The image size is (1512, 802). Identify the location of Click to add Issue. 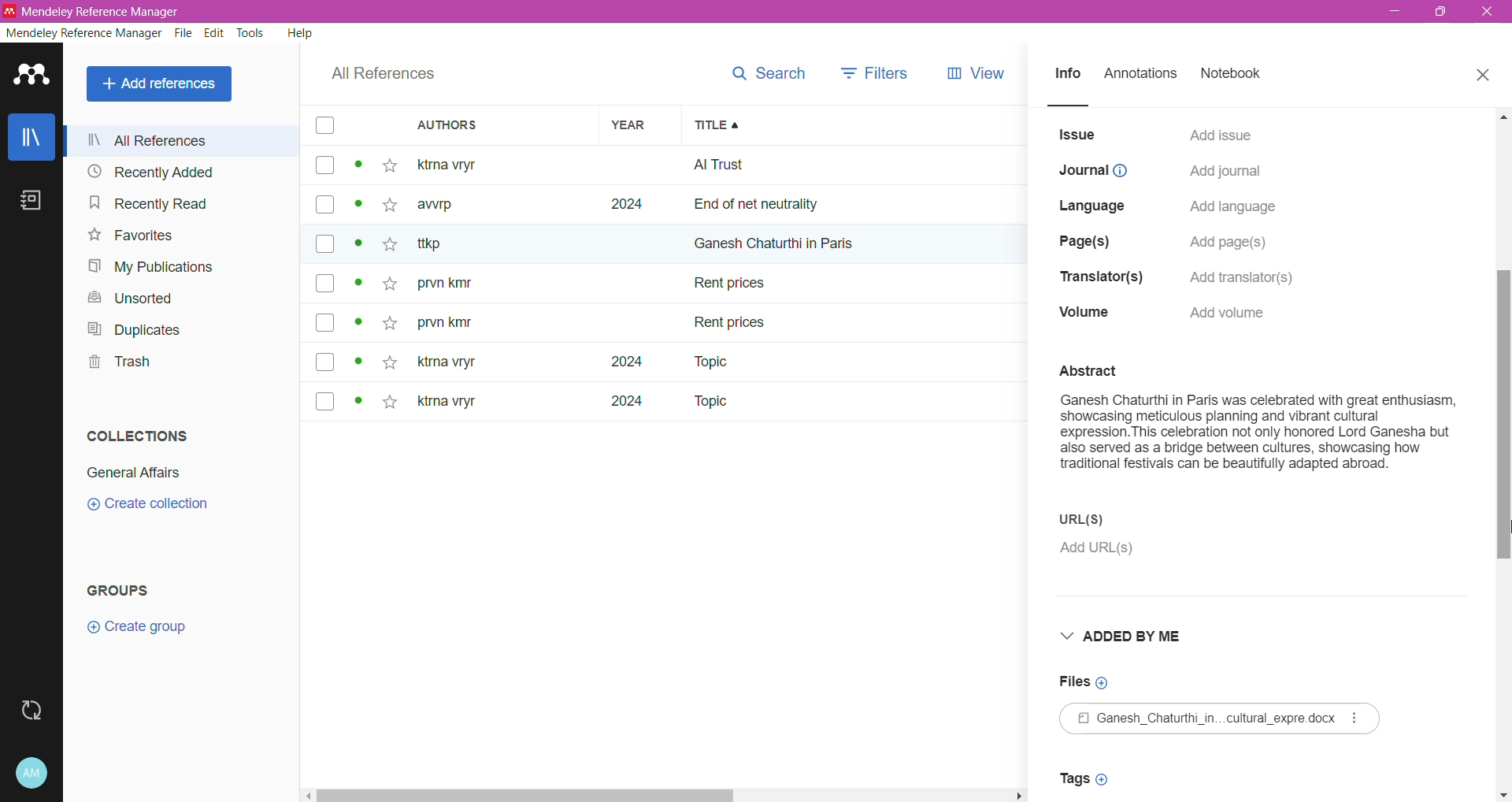
(1221, 133).